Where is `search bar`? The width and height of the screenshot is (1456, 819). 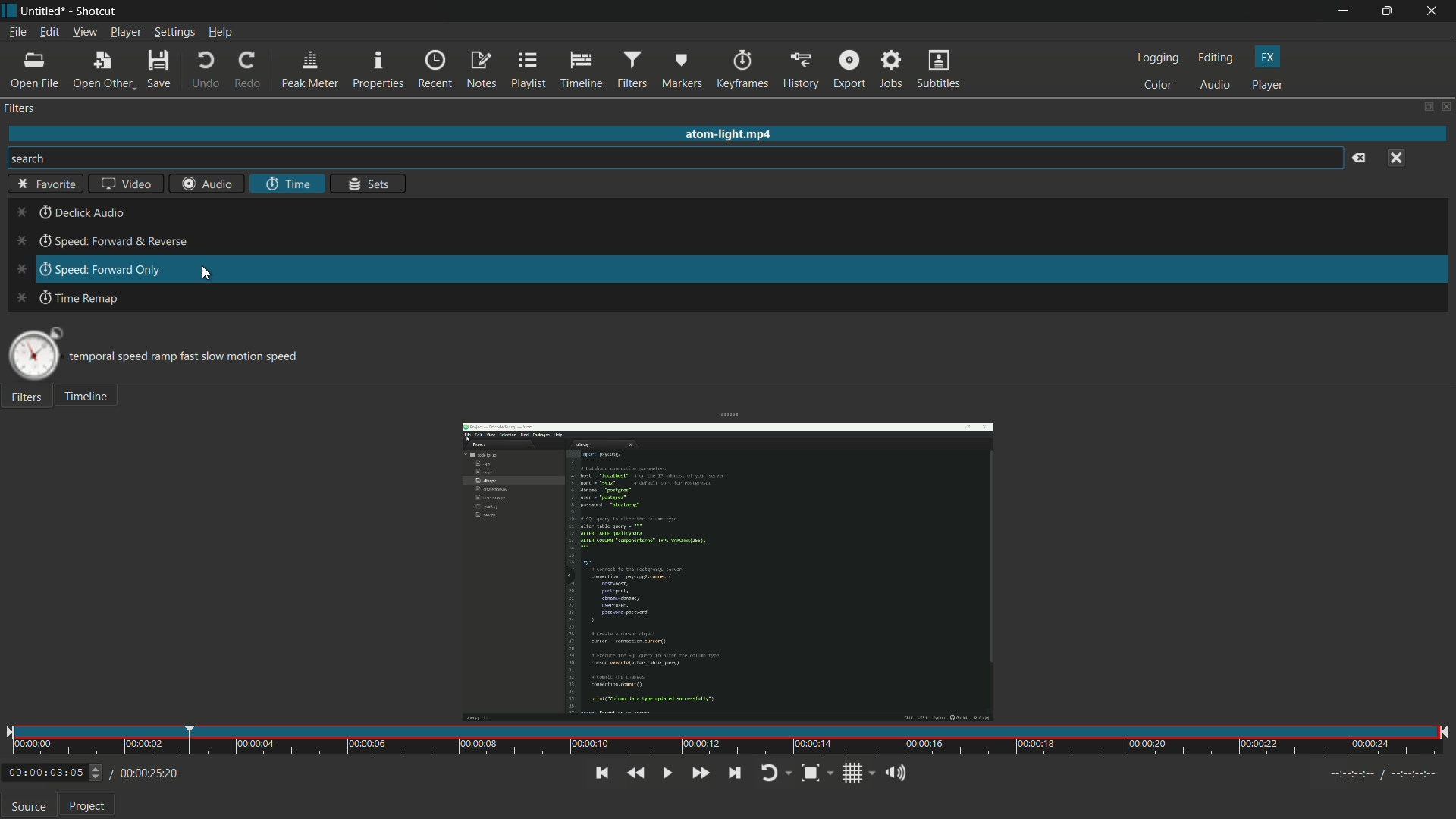 search bar is located at coordinates (676, 158).